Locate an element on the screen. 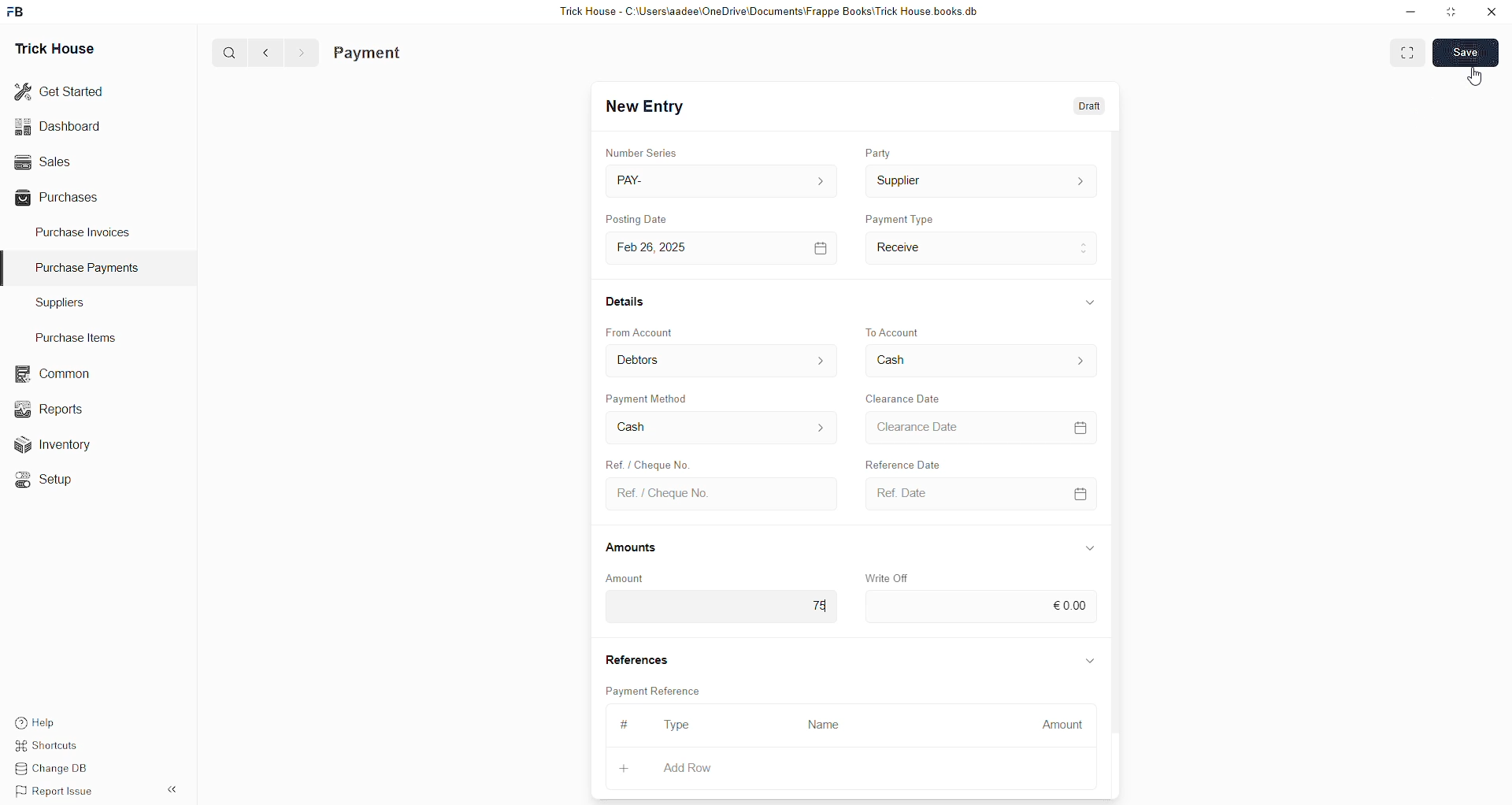  Purchases is located at coordinates (60, 199).